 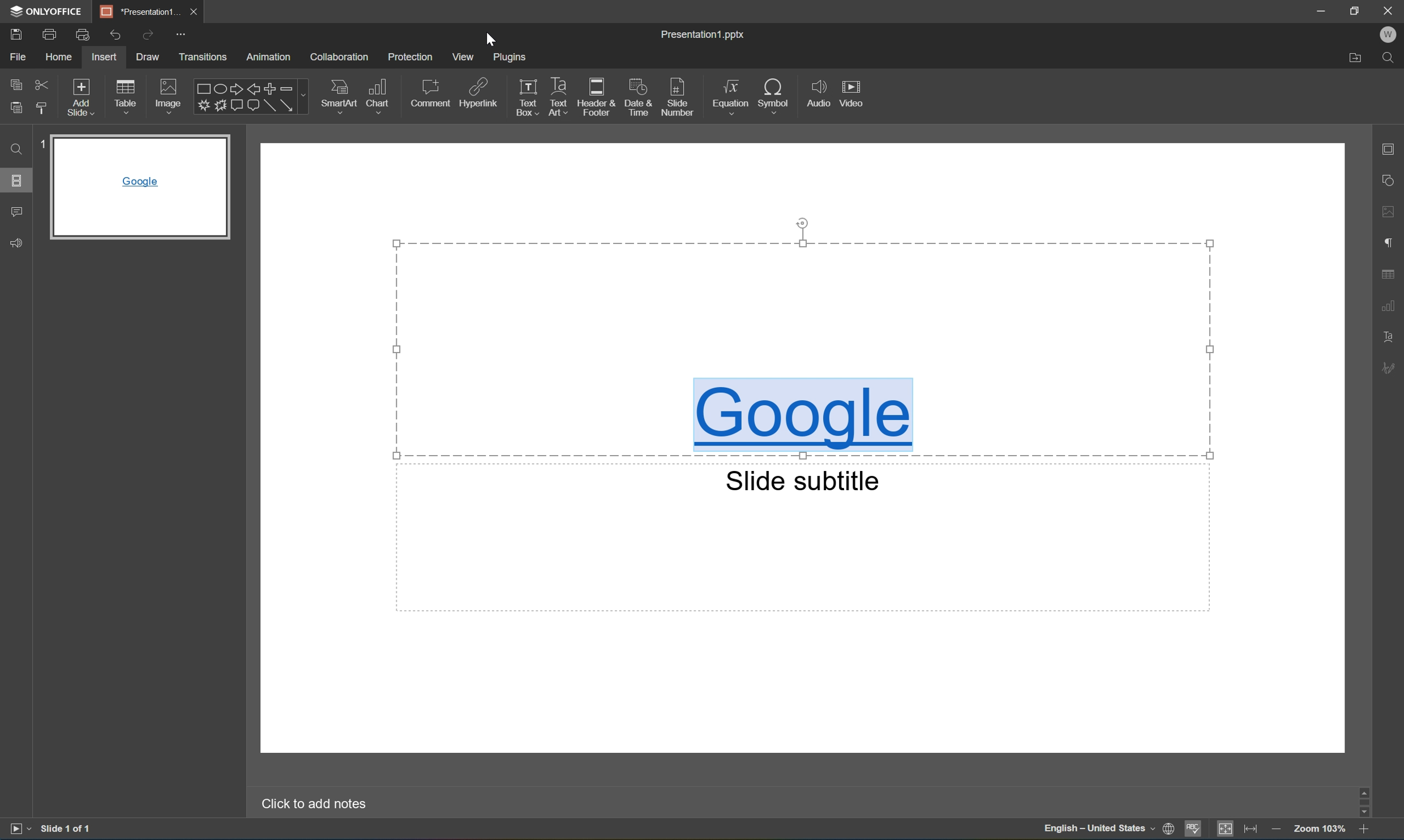 What do you see at coordinates (1388, 306) in the screenshot?
I see `Chart settings` at bounding box center [1388, 306].